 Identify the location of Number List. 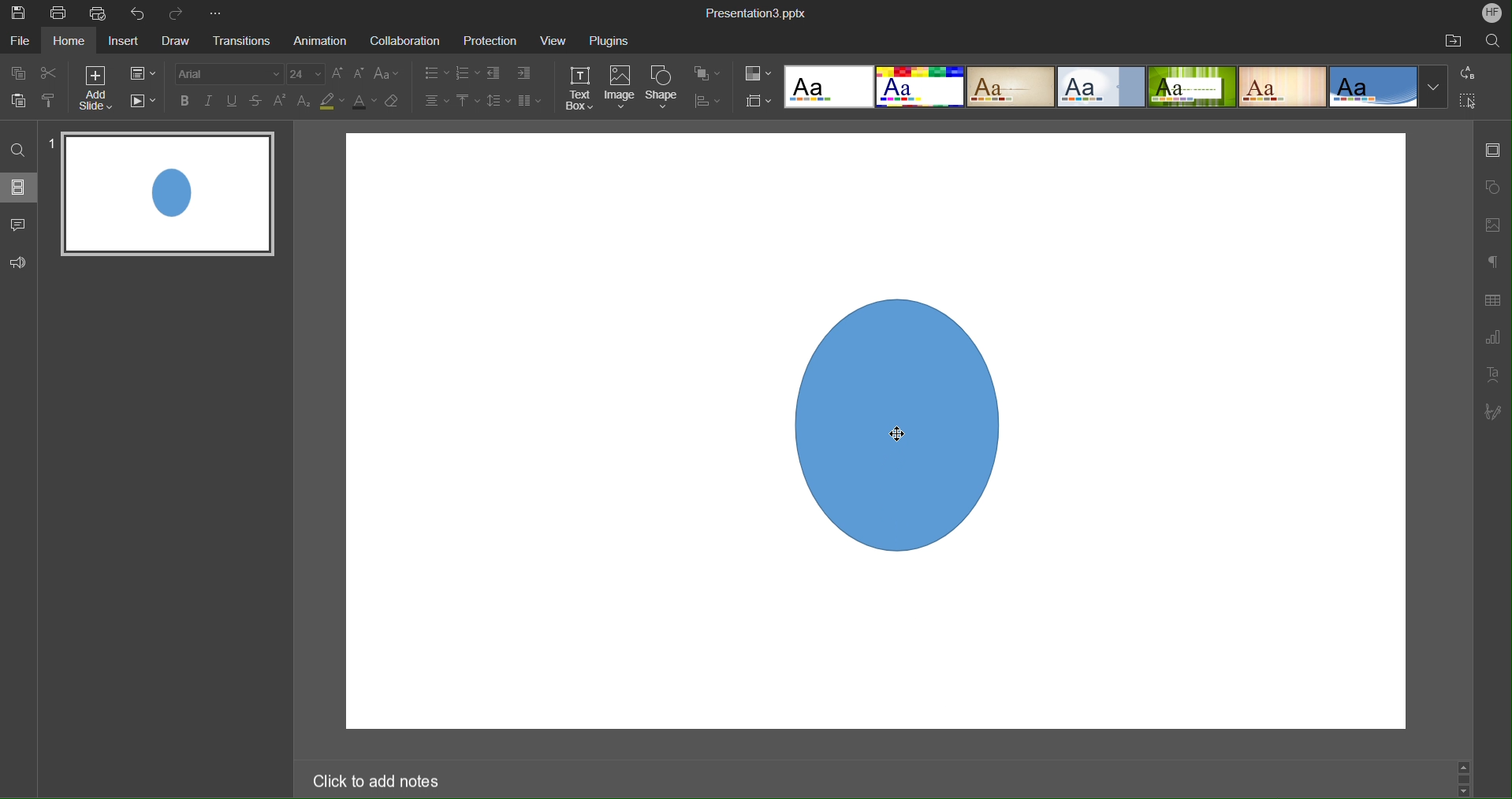
(468, 75).